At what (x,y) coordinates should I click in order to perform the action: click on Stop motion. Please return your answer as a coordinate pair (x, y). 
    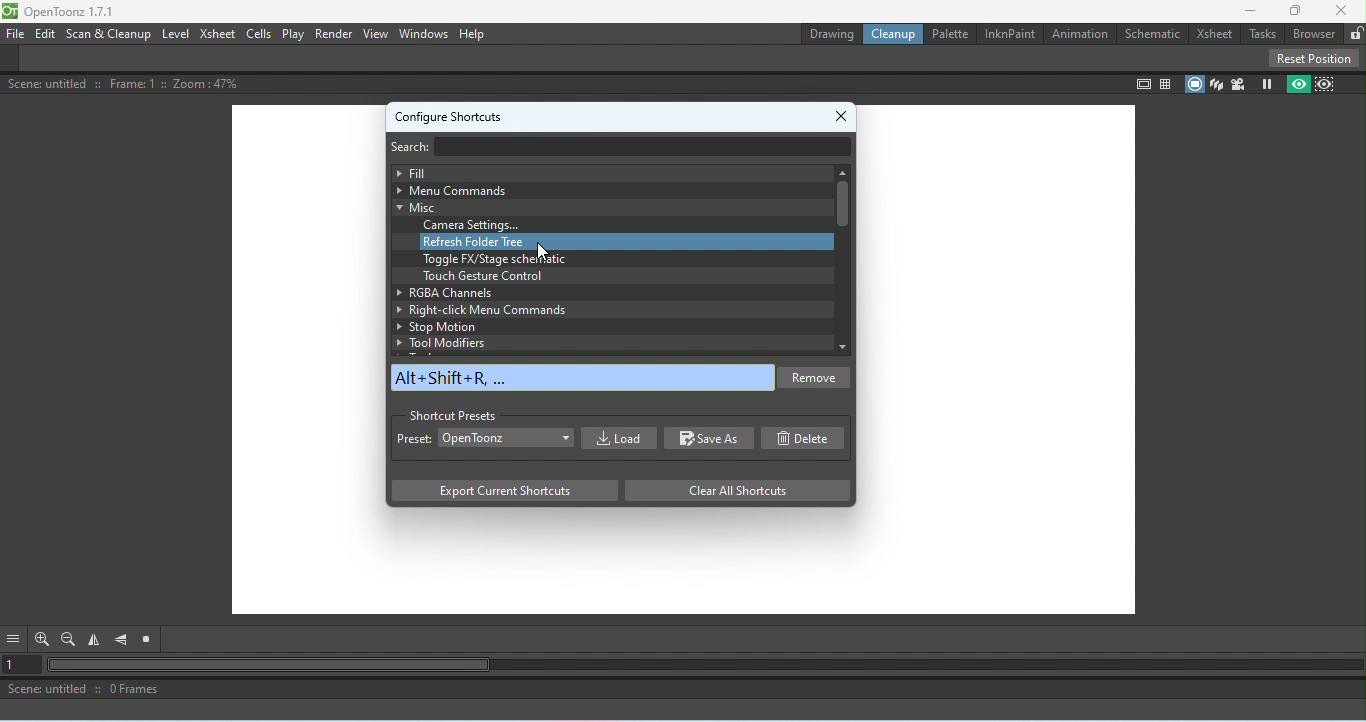
    Looking at the image, I should click on (602, 327).